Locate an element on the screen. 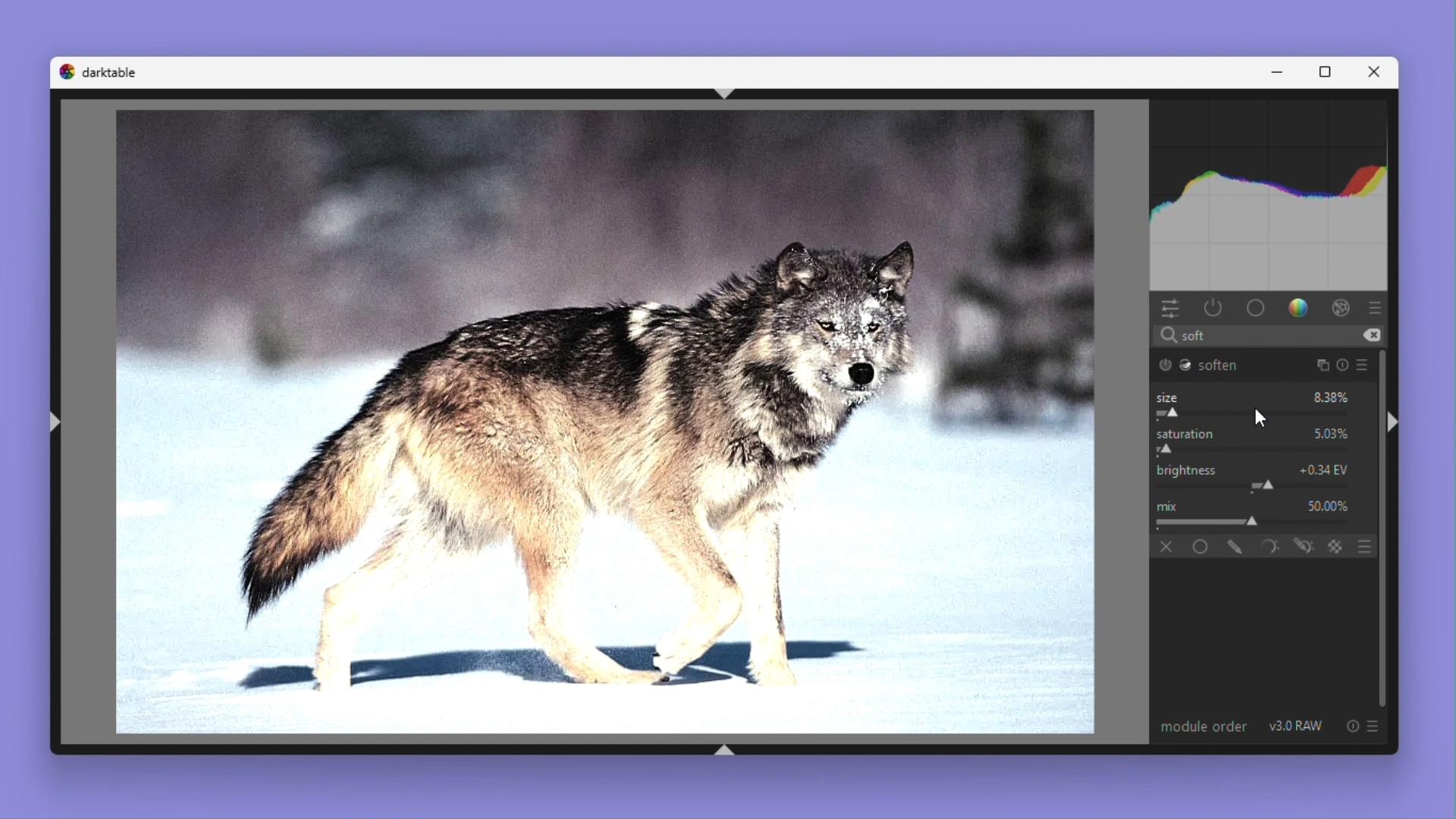 This screenshot has height=819, width=1456. drawn mask is located at coordinates (1235, 546).